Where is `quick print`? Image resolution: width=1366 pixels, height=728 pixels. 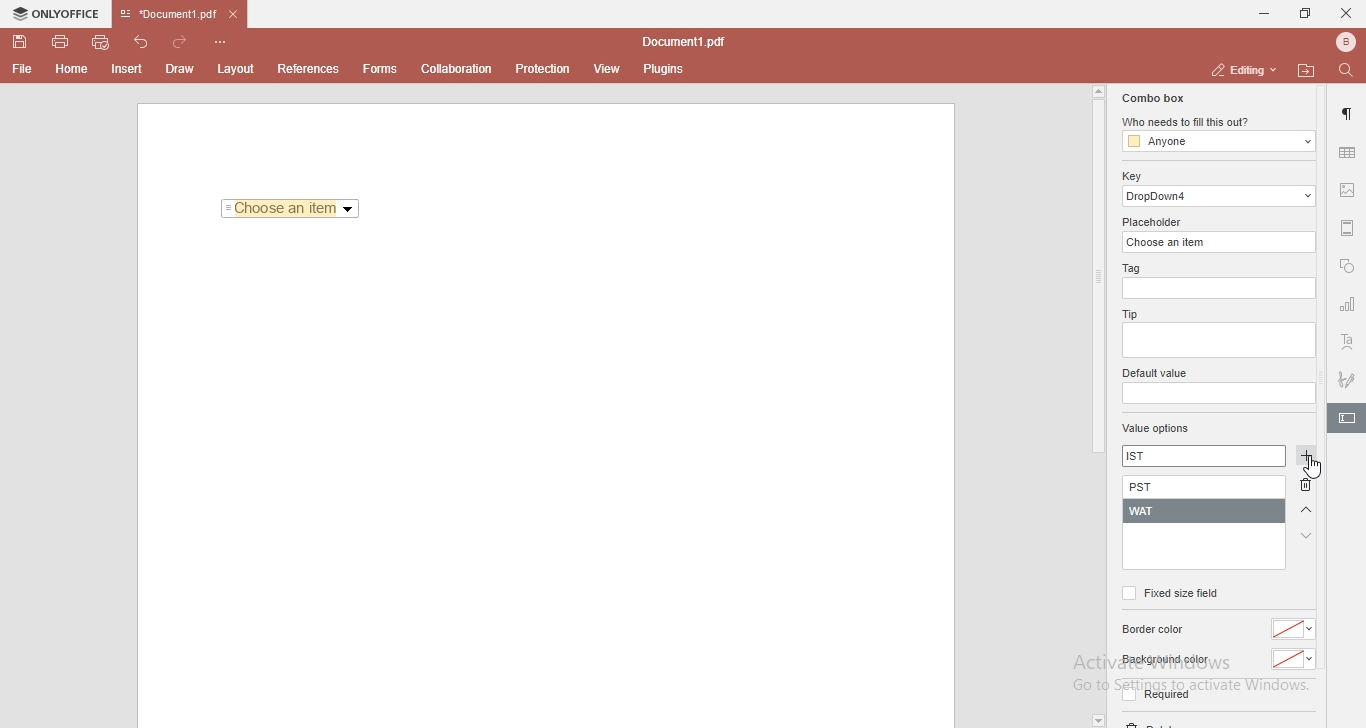 quick print is located at coordinates (102, 41).